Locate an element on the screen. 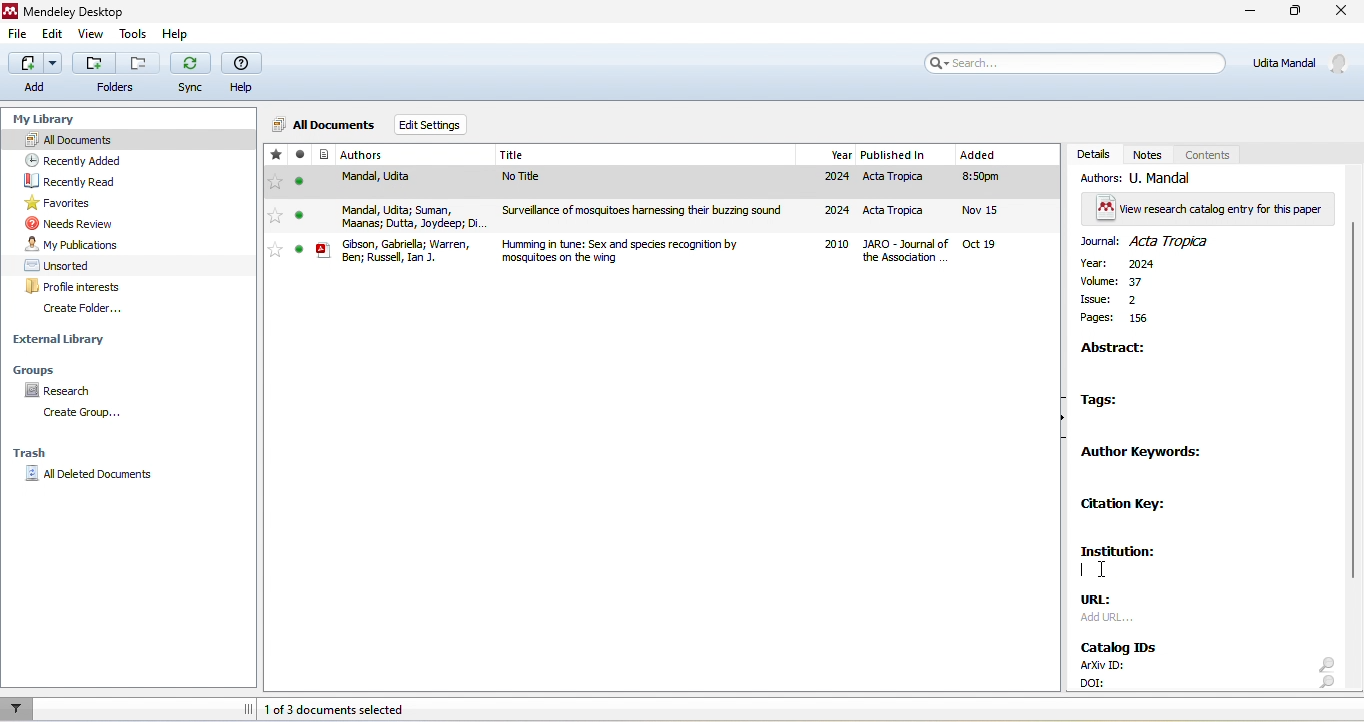  recently added is located at coordinates (83, 159).